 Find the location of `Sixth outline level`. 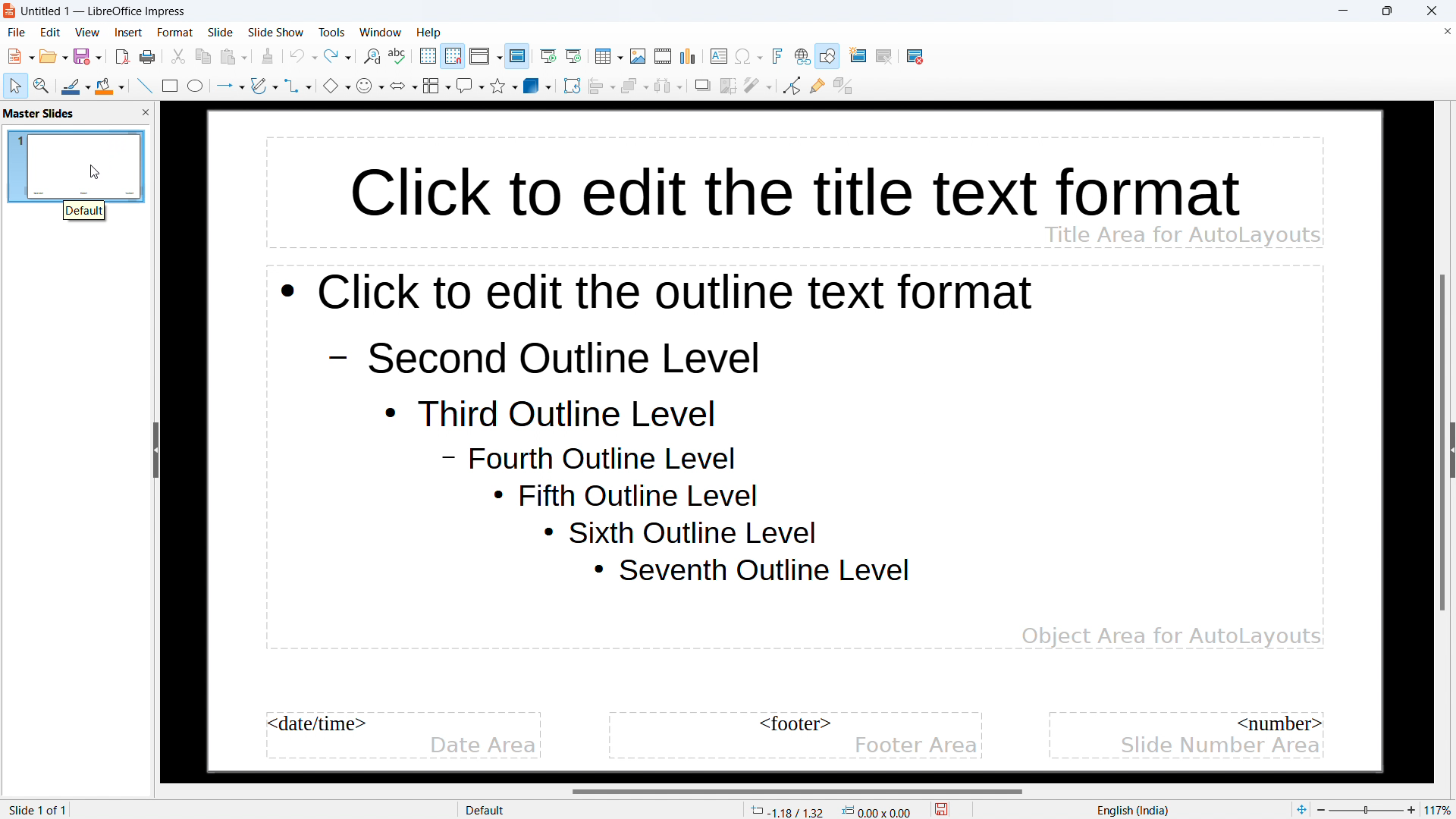

Sixth outline level is located at coordinates (680, 533).